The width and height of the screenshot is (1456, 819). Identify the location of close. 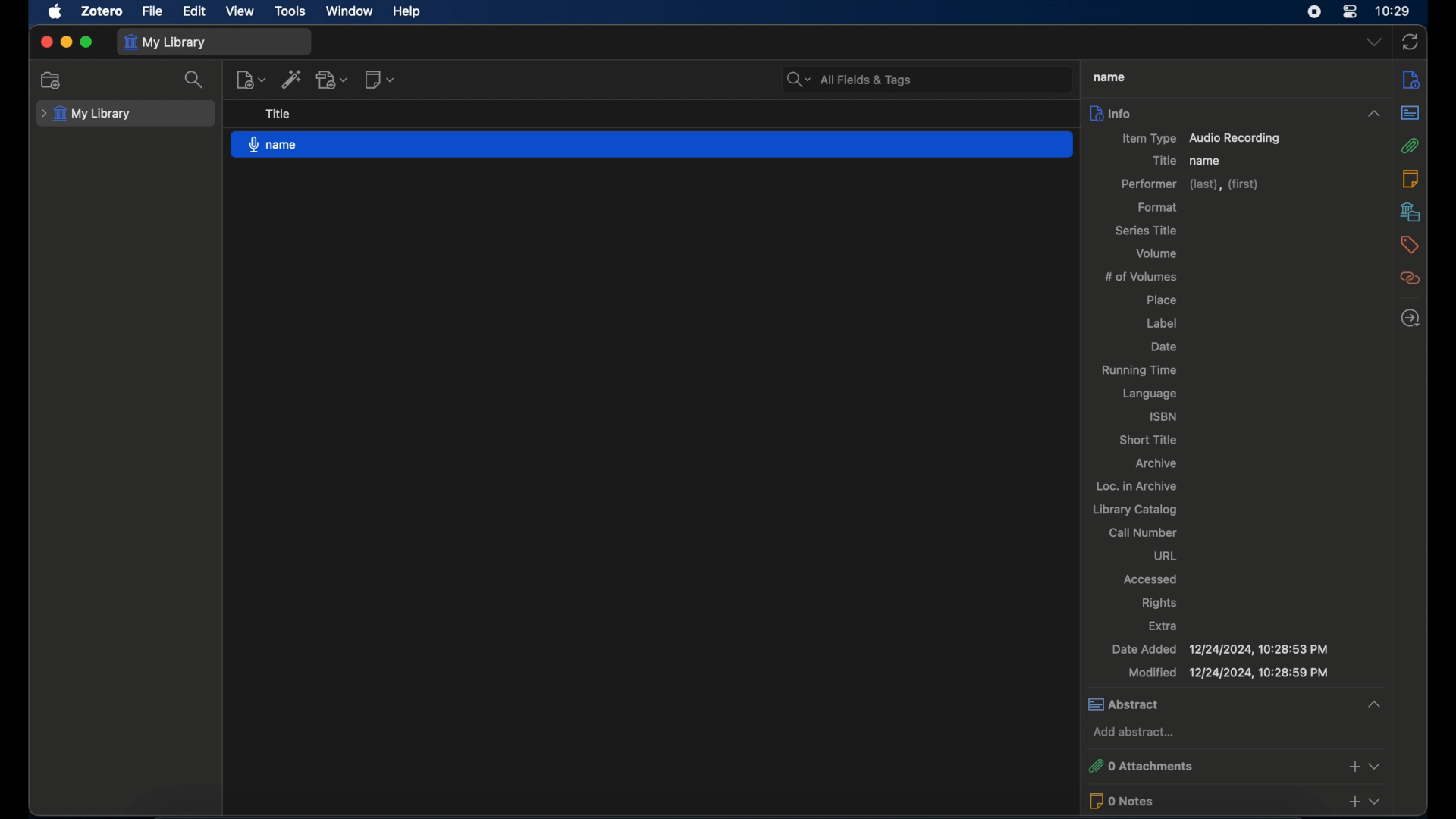
(45, 42).